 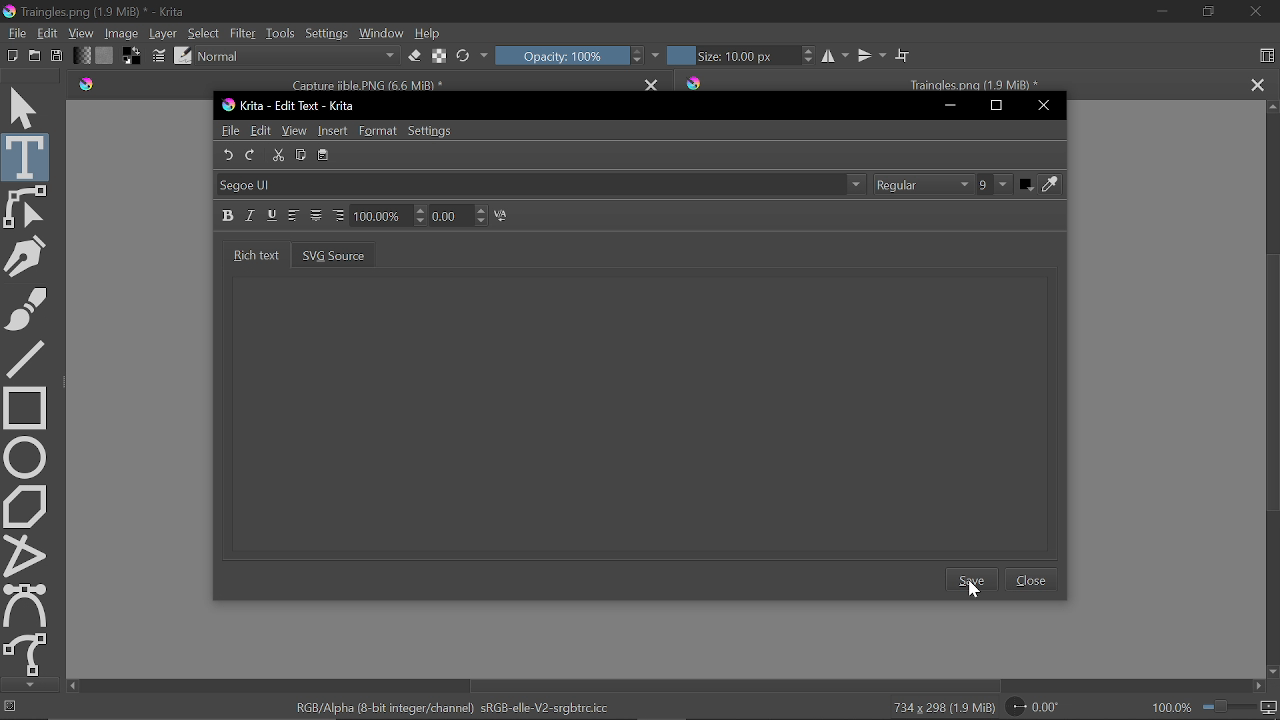 What do you see at coordinates (994, 106) in the screenshot?
I see `Maximize` at bounding box center [994, 106].